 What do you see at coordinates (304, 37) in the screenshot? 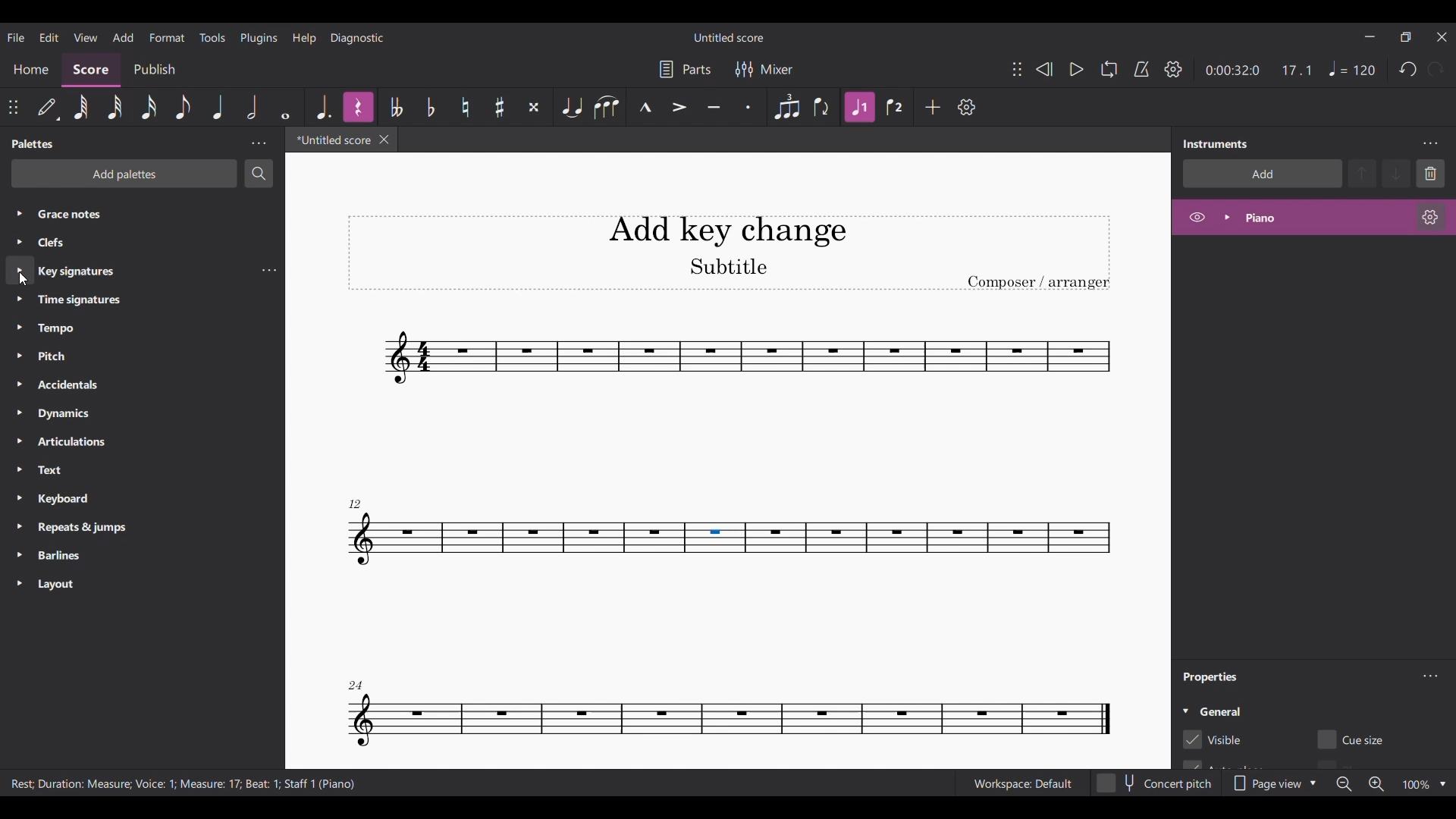
I see `Help menu` at bounding box center [304, 37].